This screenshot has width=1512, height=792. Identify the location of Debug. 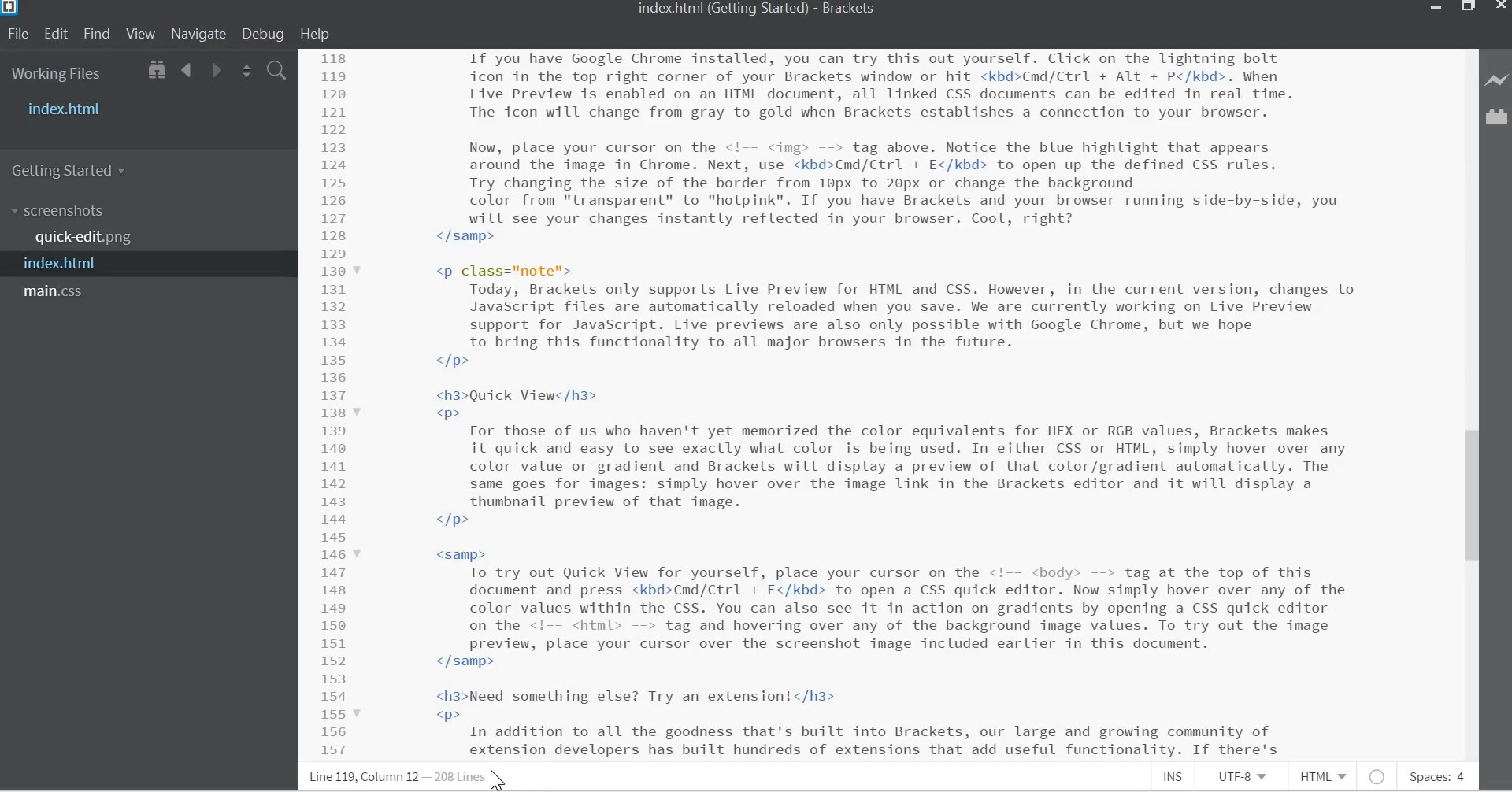
(263, 36).